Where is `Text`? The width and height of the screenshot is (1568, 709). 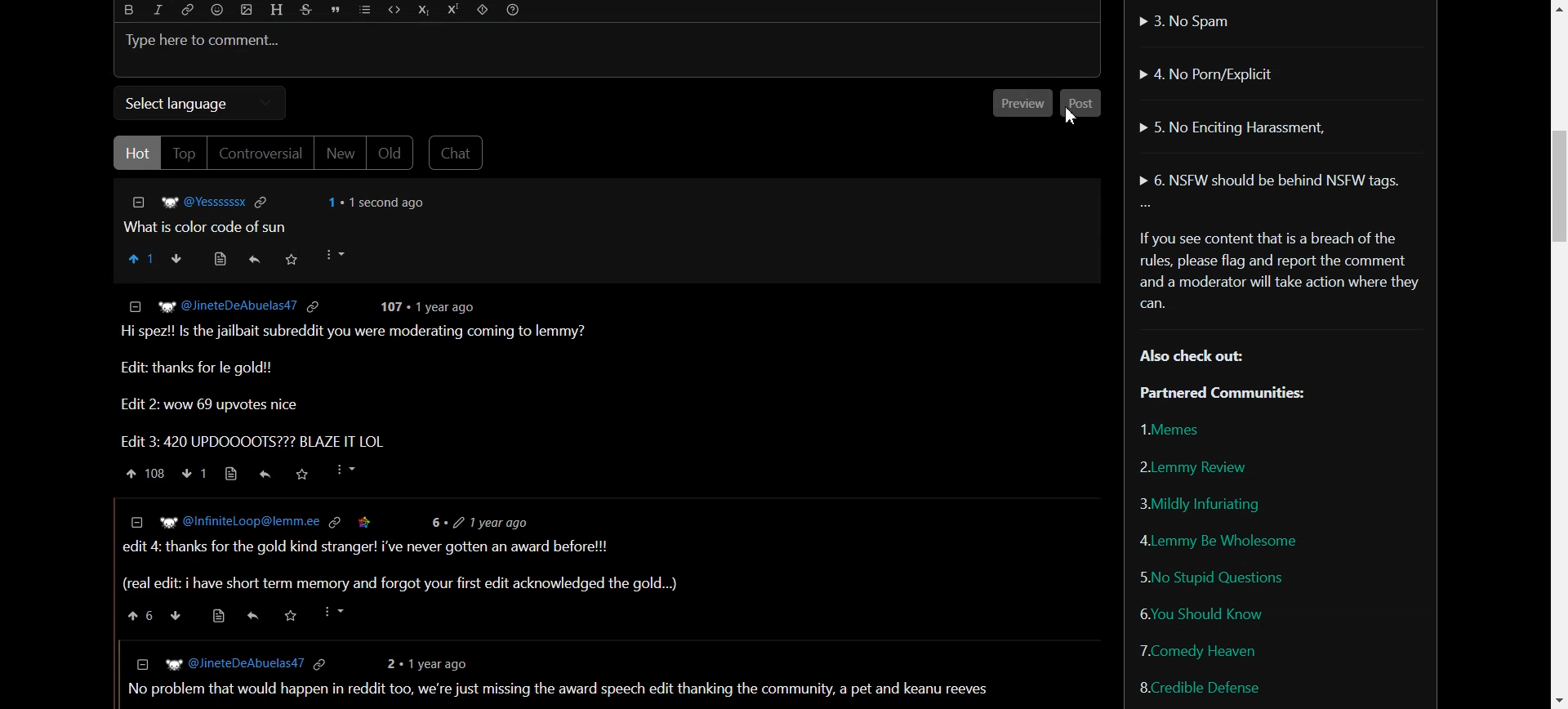 Text is located at coordinates (202, 38).